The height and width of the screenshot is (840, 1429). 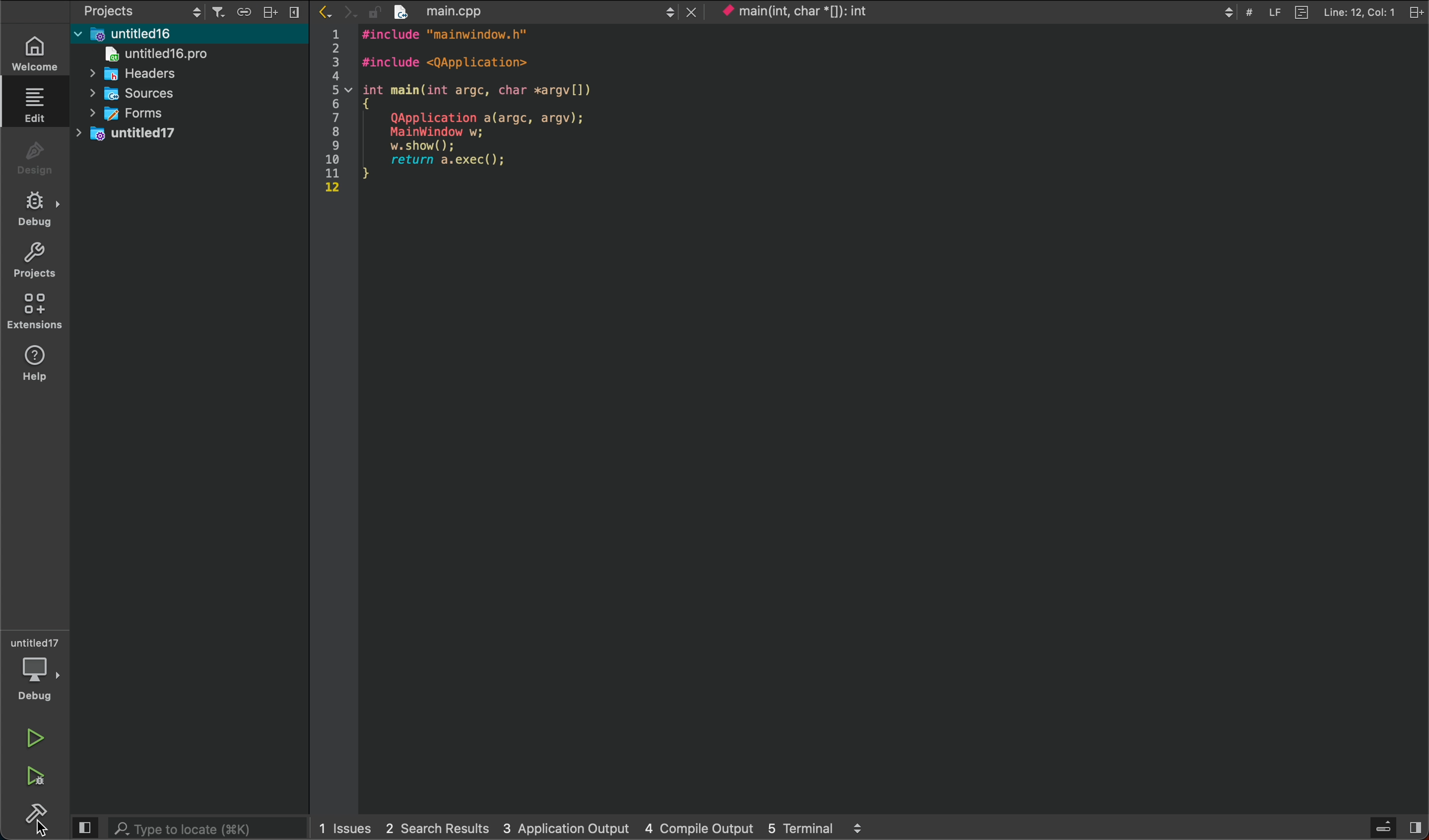 I want to click on close sidebar, so click(x=299, y=13).